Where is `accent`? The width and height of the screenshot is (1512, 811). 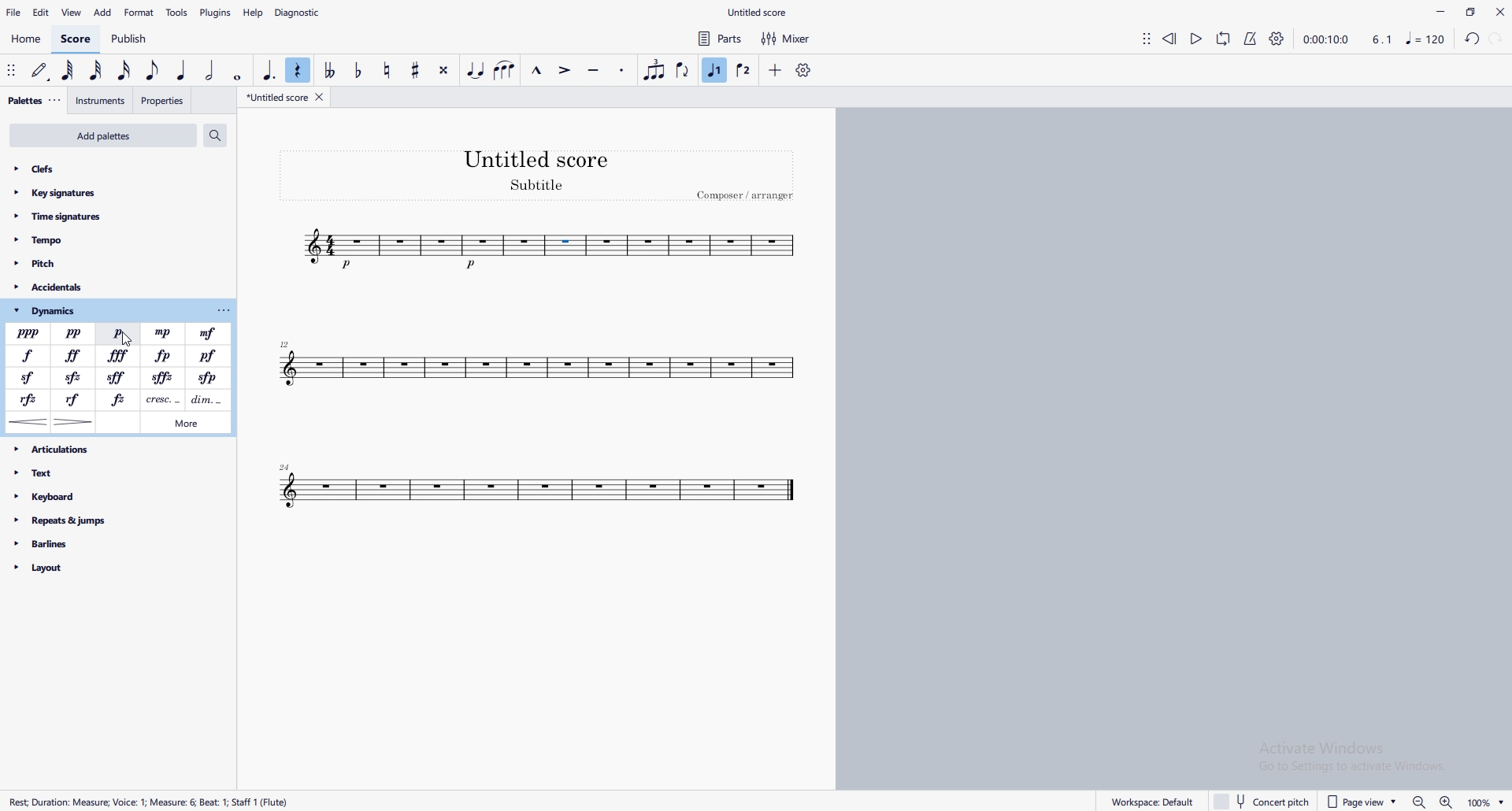
accent is located at coordinates (566, 70).